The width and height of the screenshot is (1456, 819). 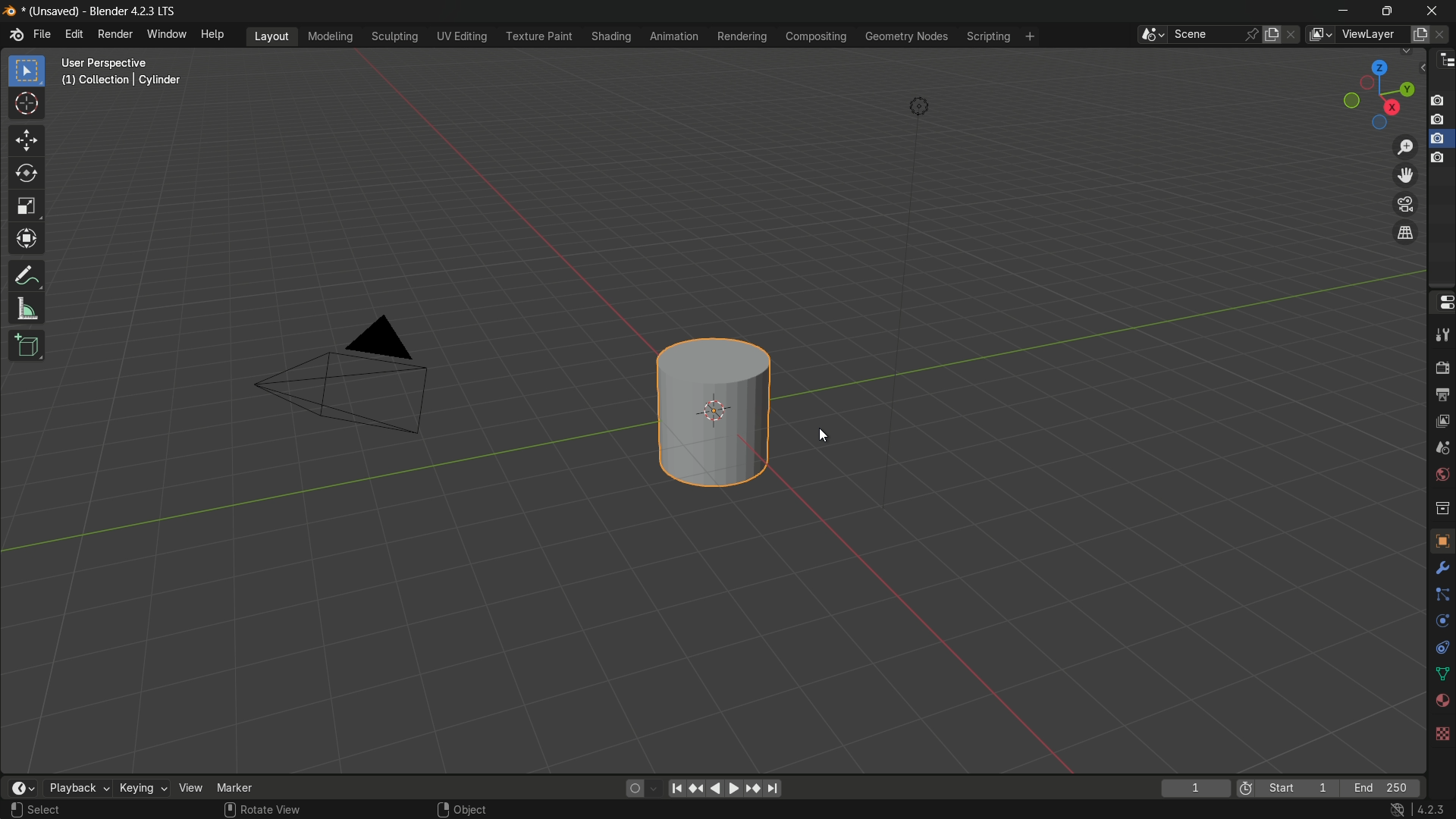 What do you see at coordinates (816, 38) in the screenshot?
I see `compositing` at bounding box center [816, 38].